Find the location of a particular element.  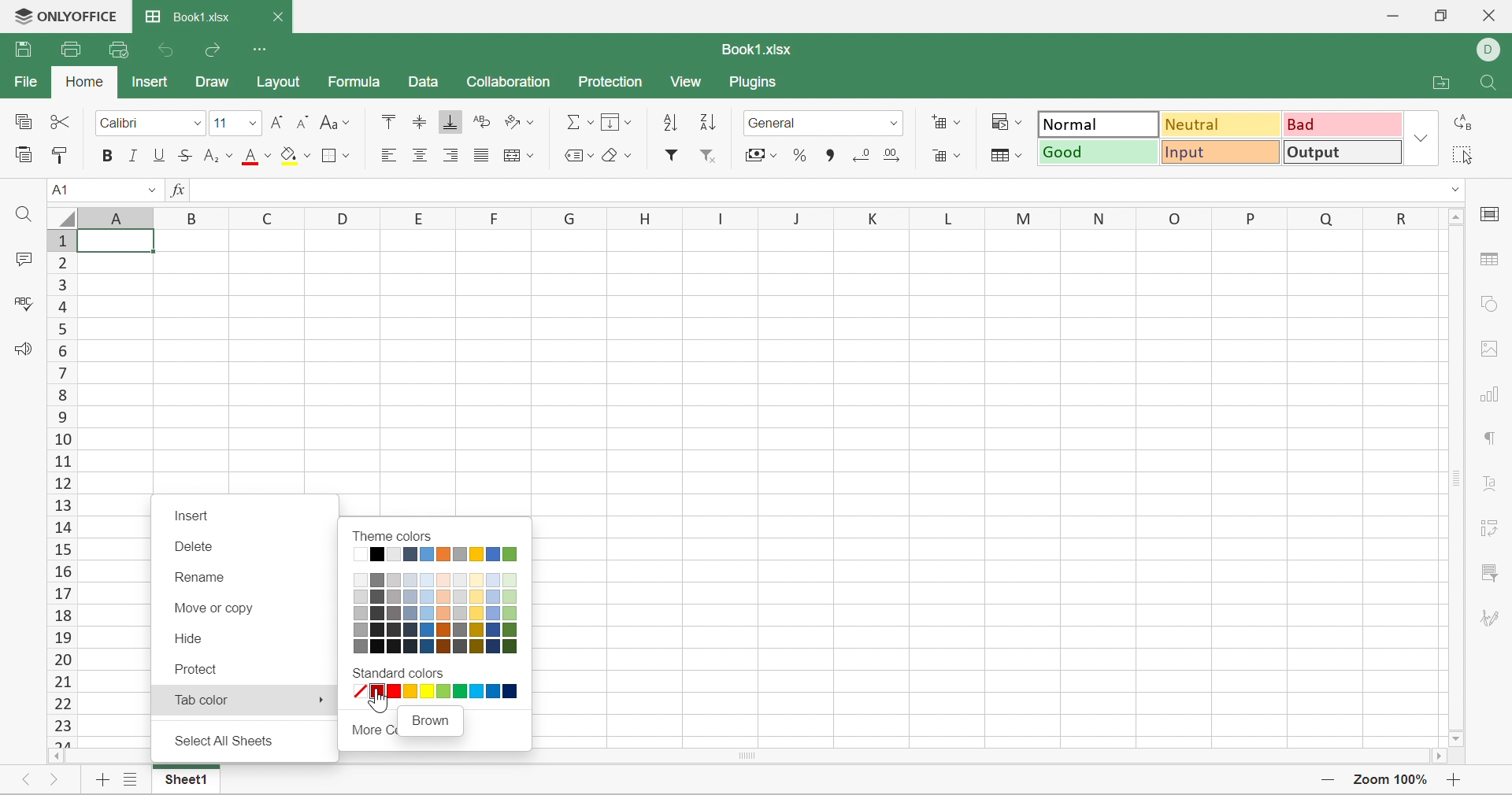

Scroll down is located at coordinates (1456, 741).